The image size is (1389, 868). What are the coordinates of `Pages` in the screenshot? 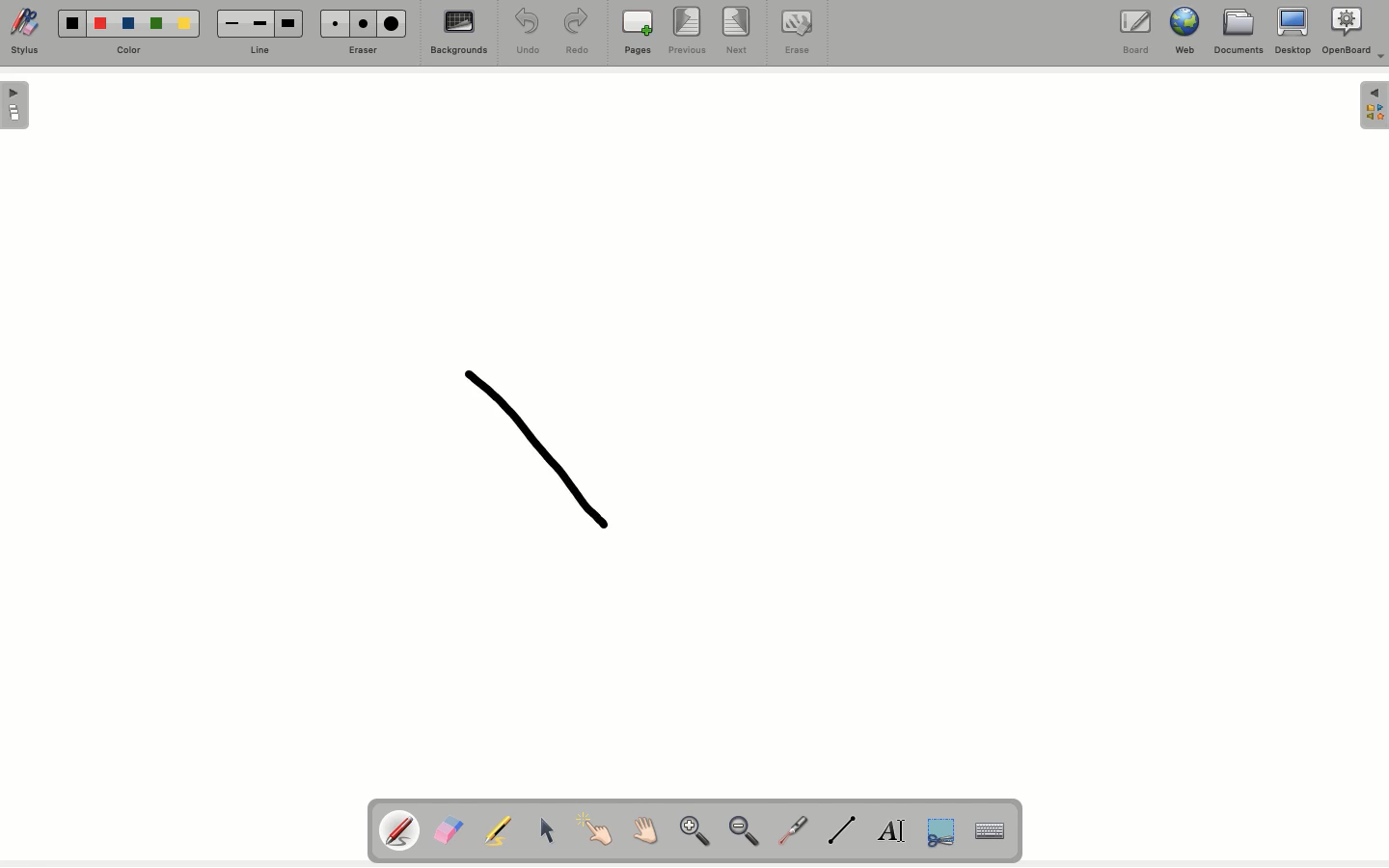 It's located at (640, 33).